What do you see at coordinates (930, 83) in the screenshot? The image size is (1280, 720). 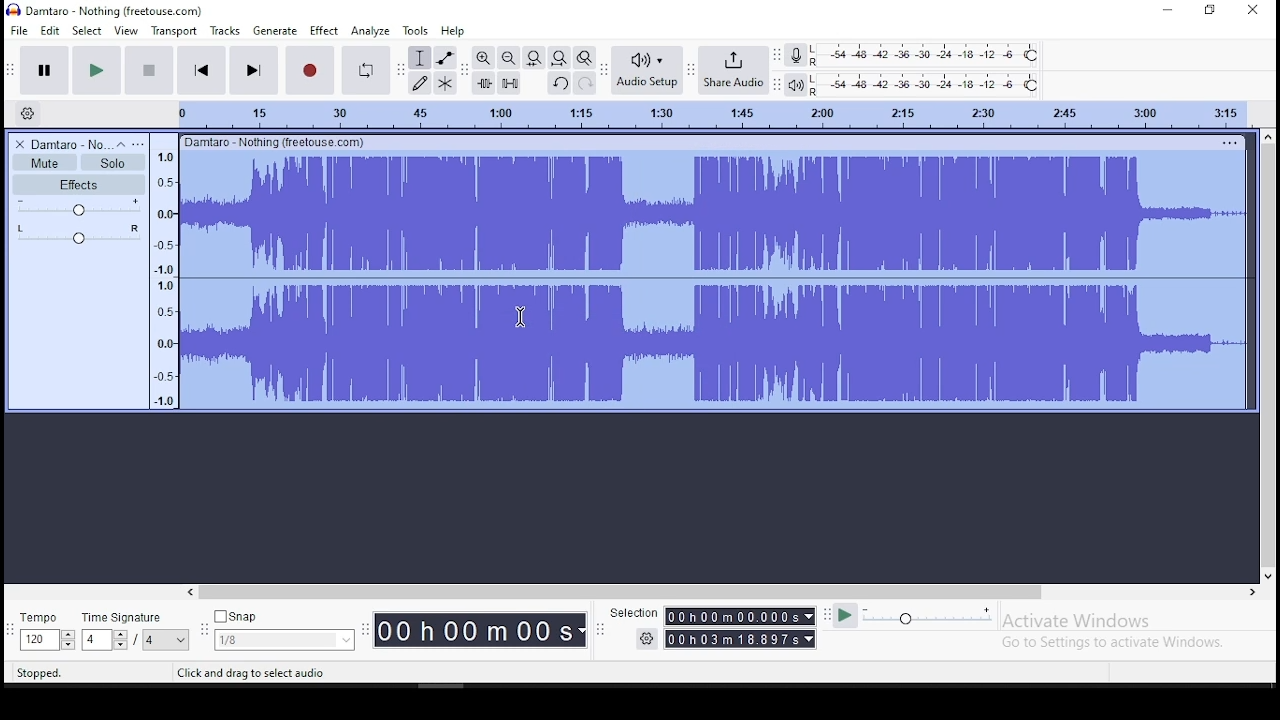 I see `playback level` at bounding box center [930, 83].